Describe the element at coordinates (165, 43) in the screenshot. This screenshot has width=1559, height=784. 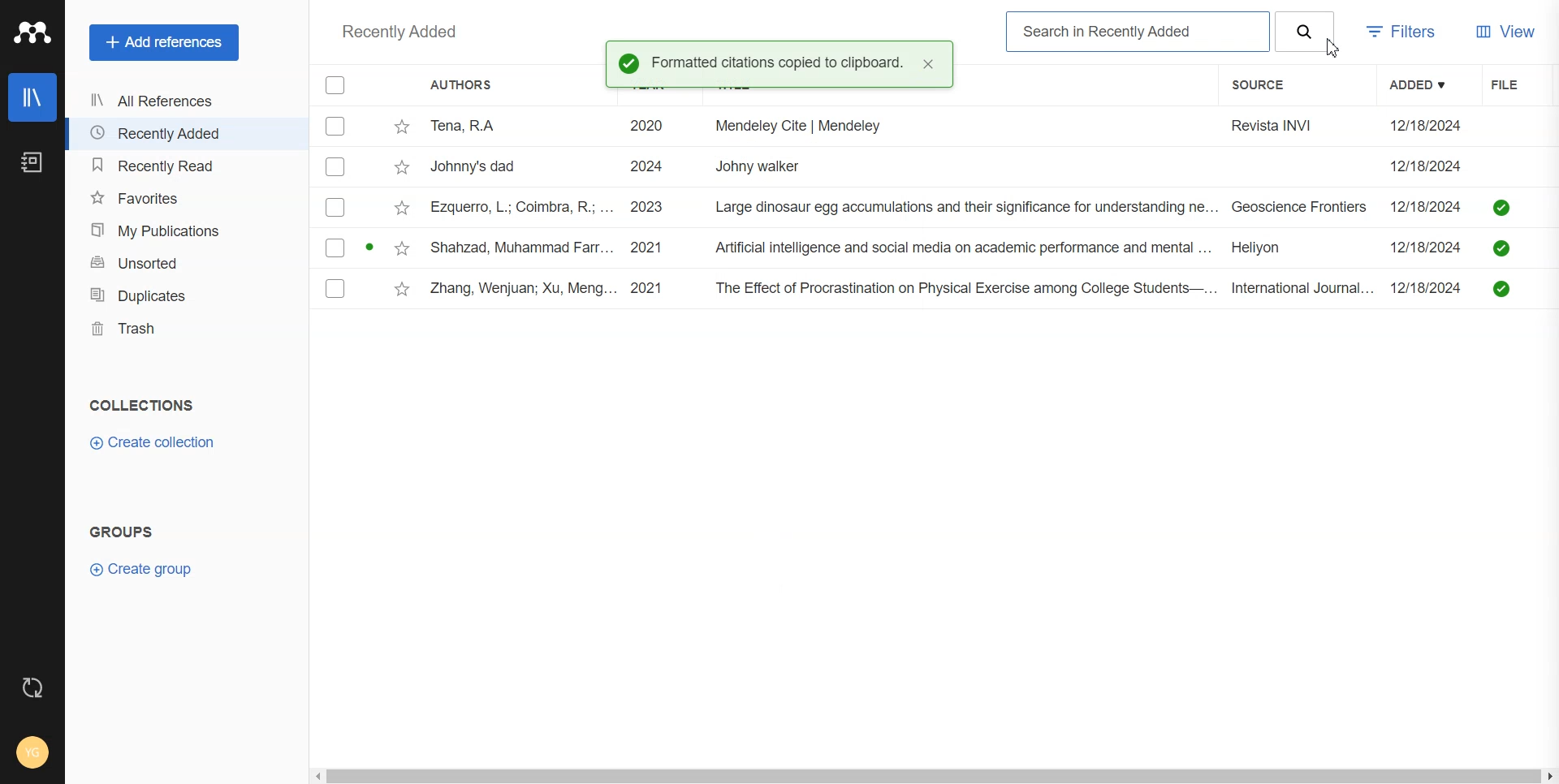
I see `Add References` at that location.